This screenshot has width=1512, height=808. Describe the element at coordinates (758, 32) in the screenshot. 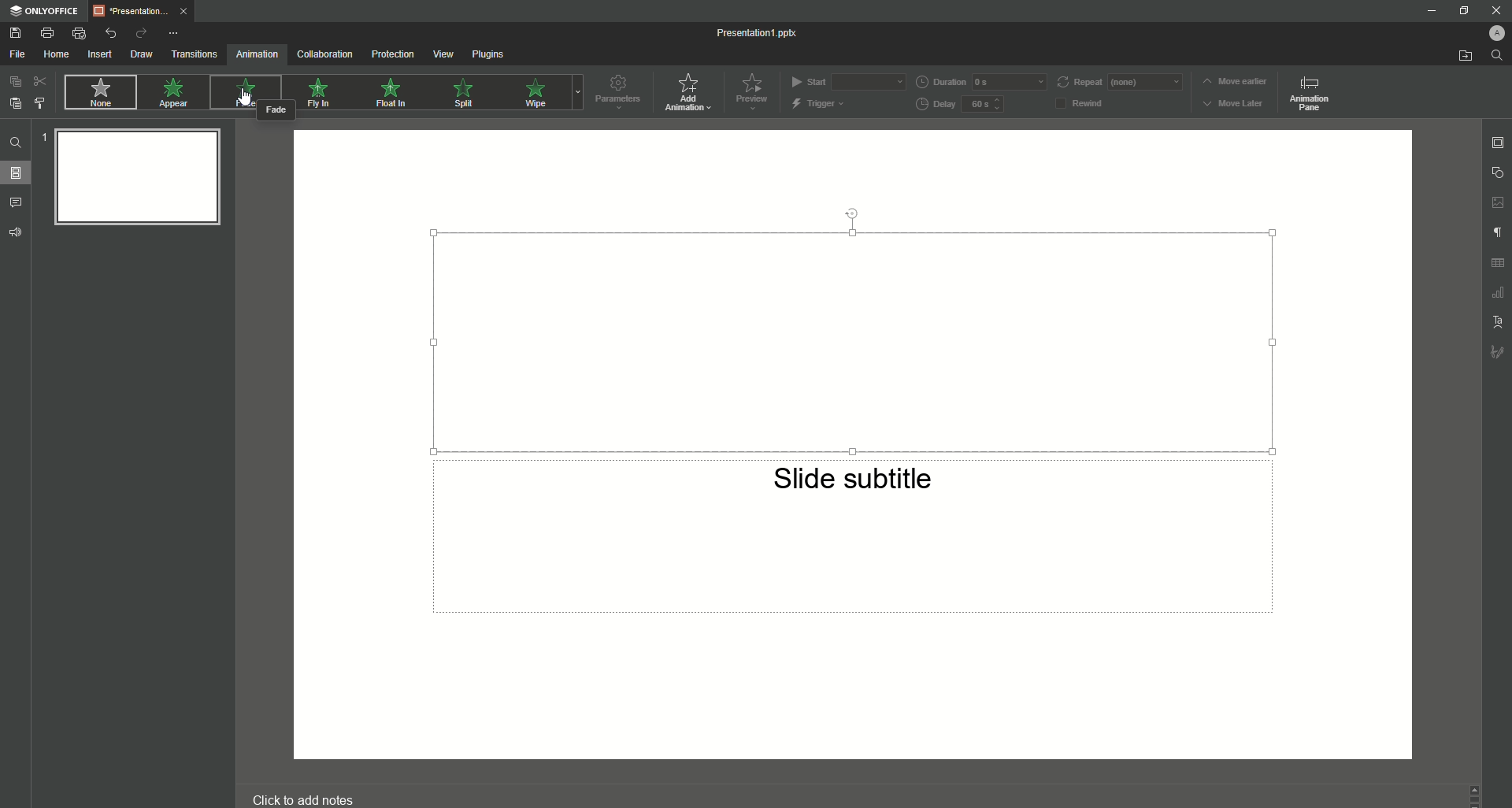

I see `Presentation1` at that location.